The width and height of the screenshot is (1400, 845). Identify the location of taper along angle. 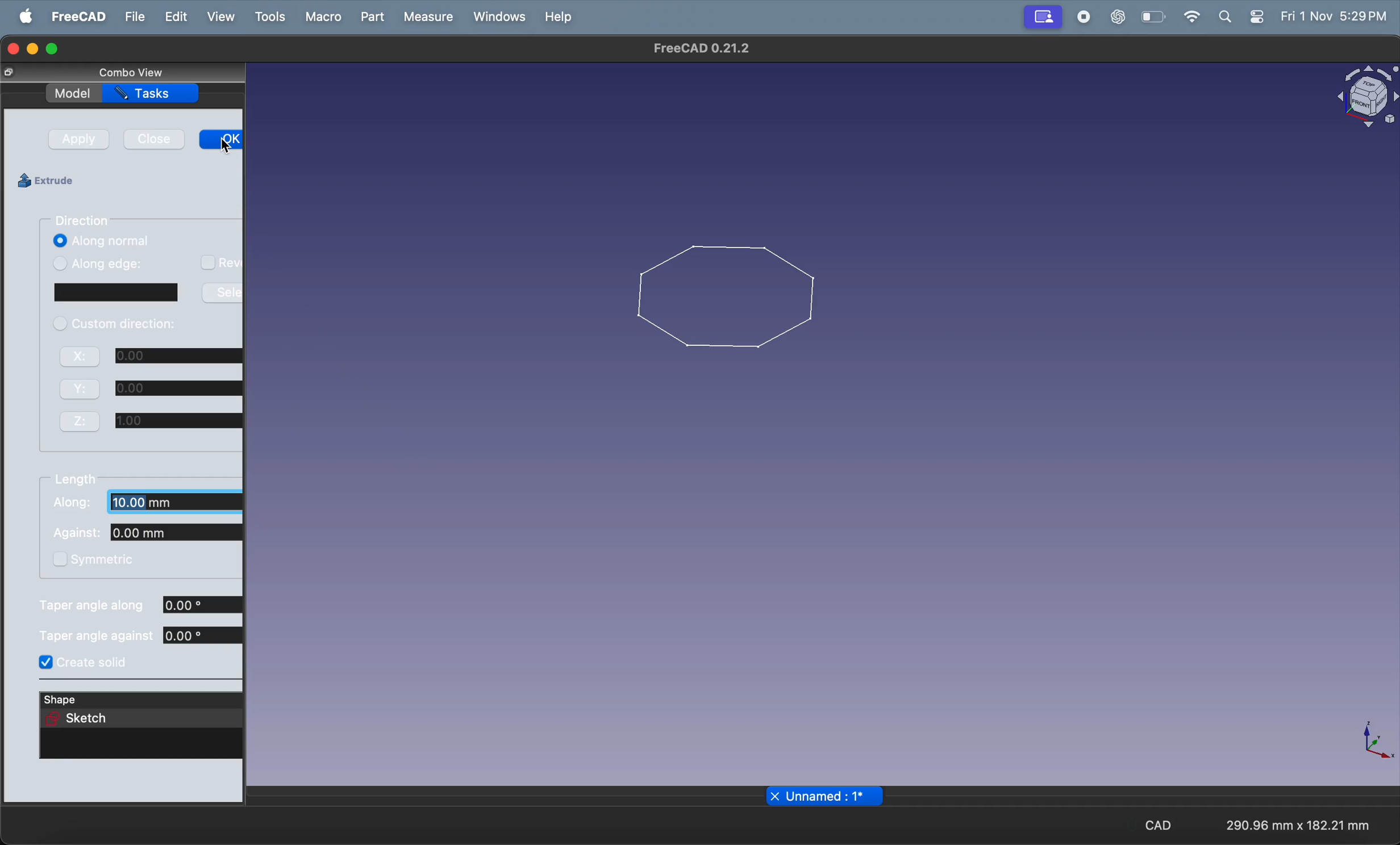
(140, 606).